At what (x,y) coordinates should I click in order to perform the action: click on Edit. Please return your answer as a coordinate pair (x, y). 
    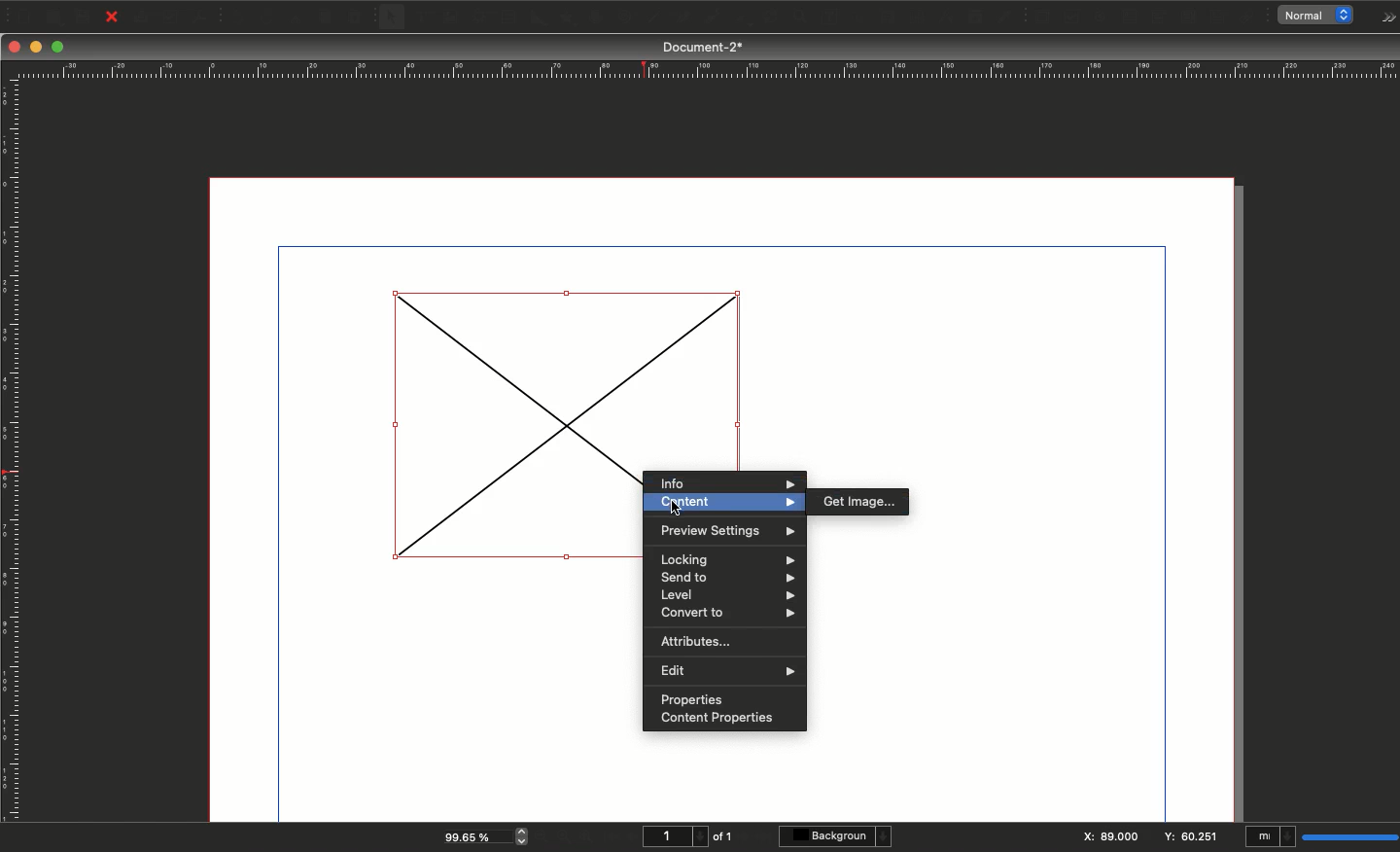
    Looking at the image, I should click on (726, 669).